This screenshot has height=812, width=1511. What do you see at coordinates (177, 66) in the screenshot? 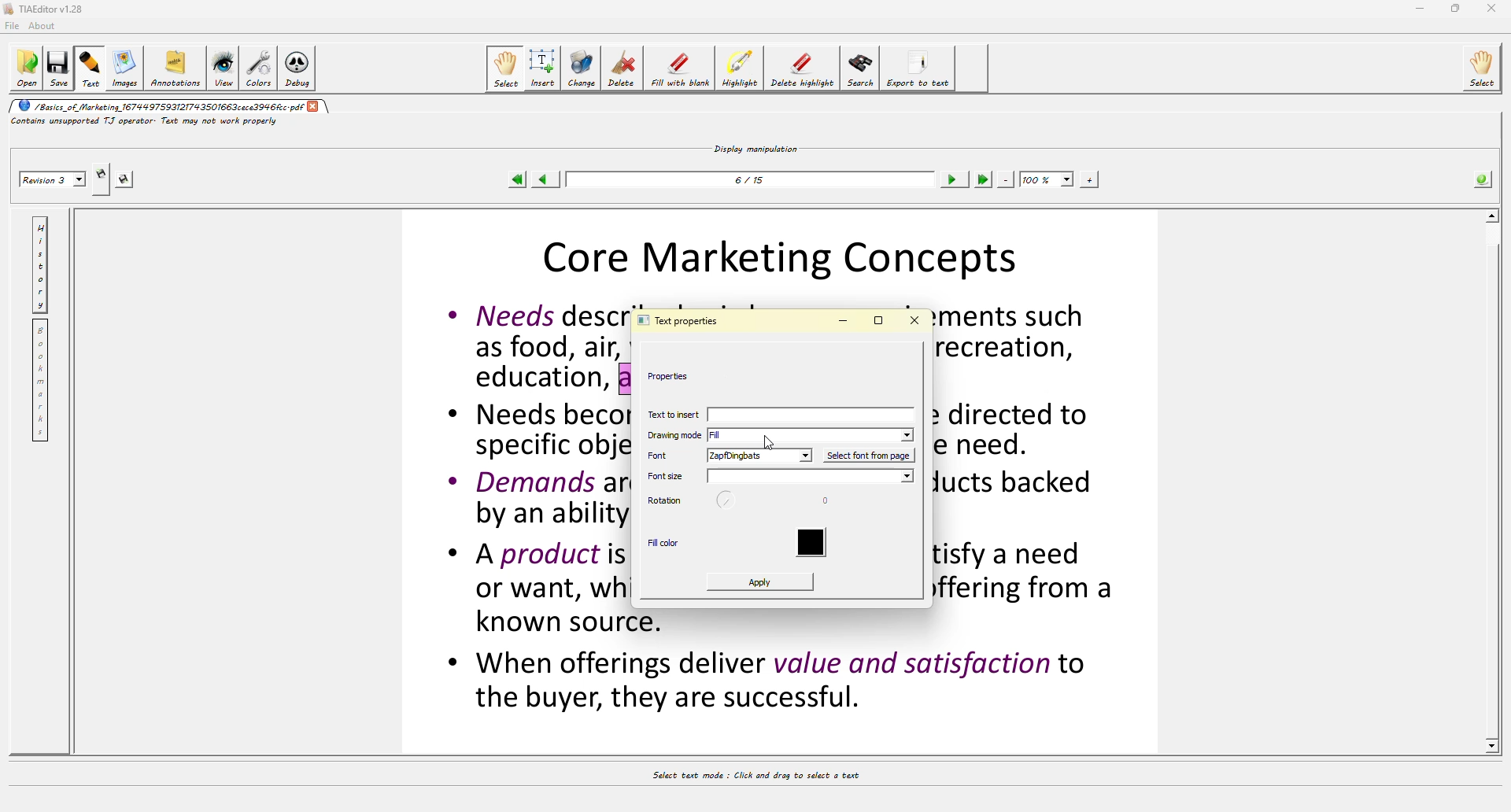
I see `annotations` at bounding box center [177, 66].